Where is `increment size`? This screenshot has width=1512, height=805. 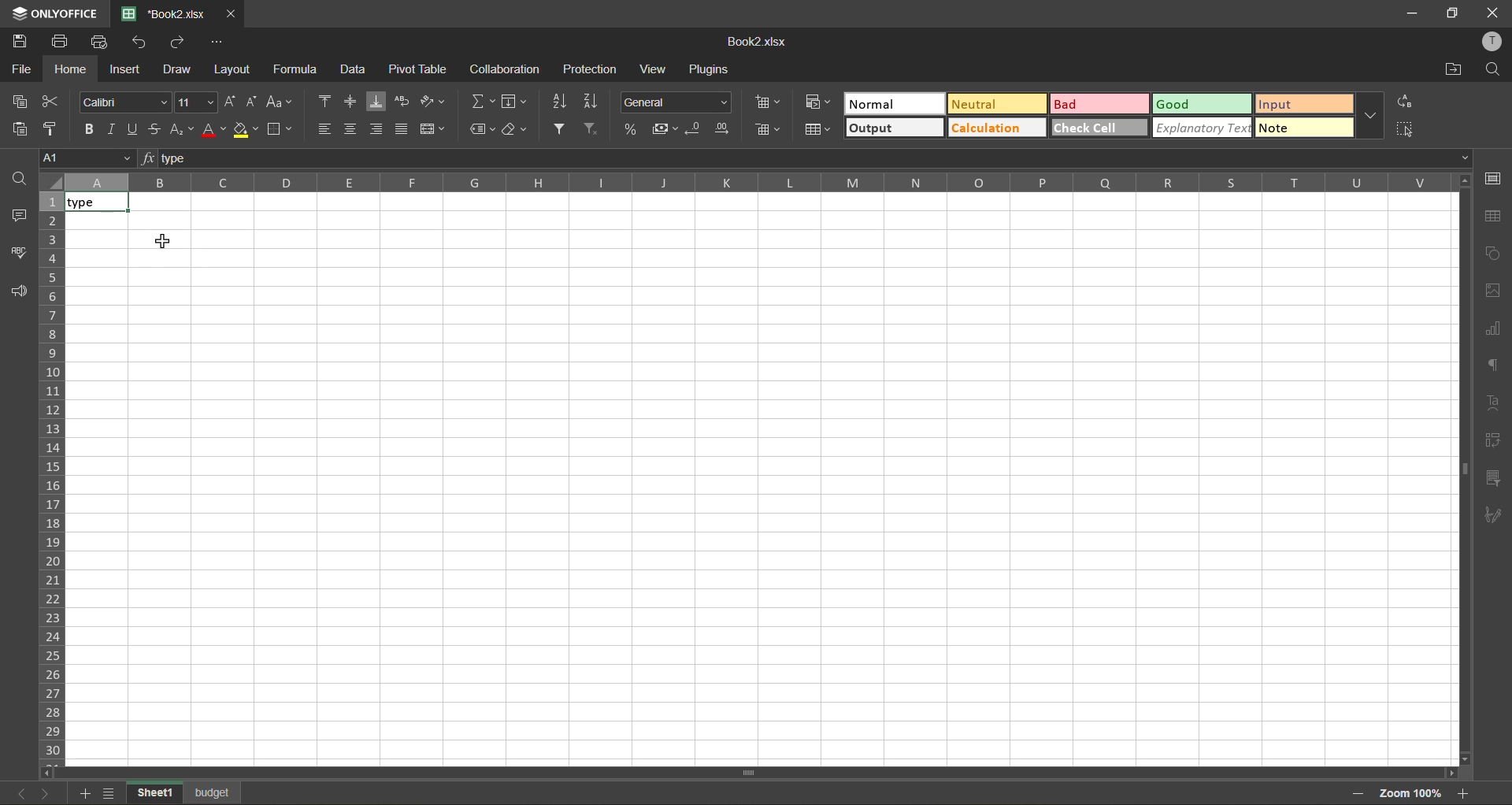 increment size is located at coordinates (231, 101).